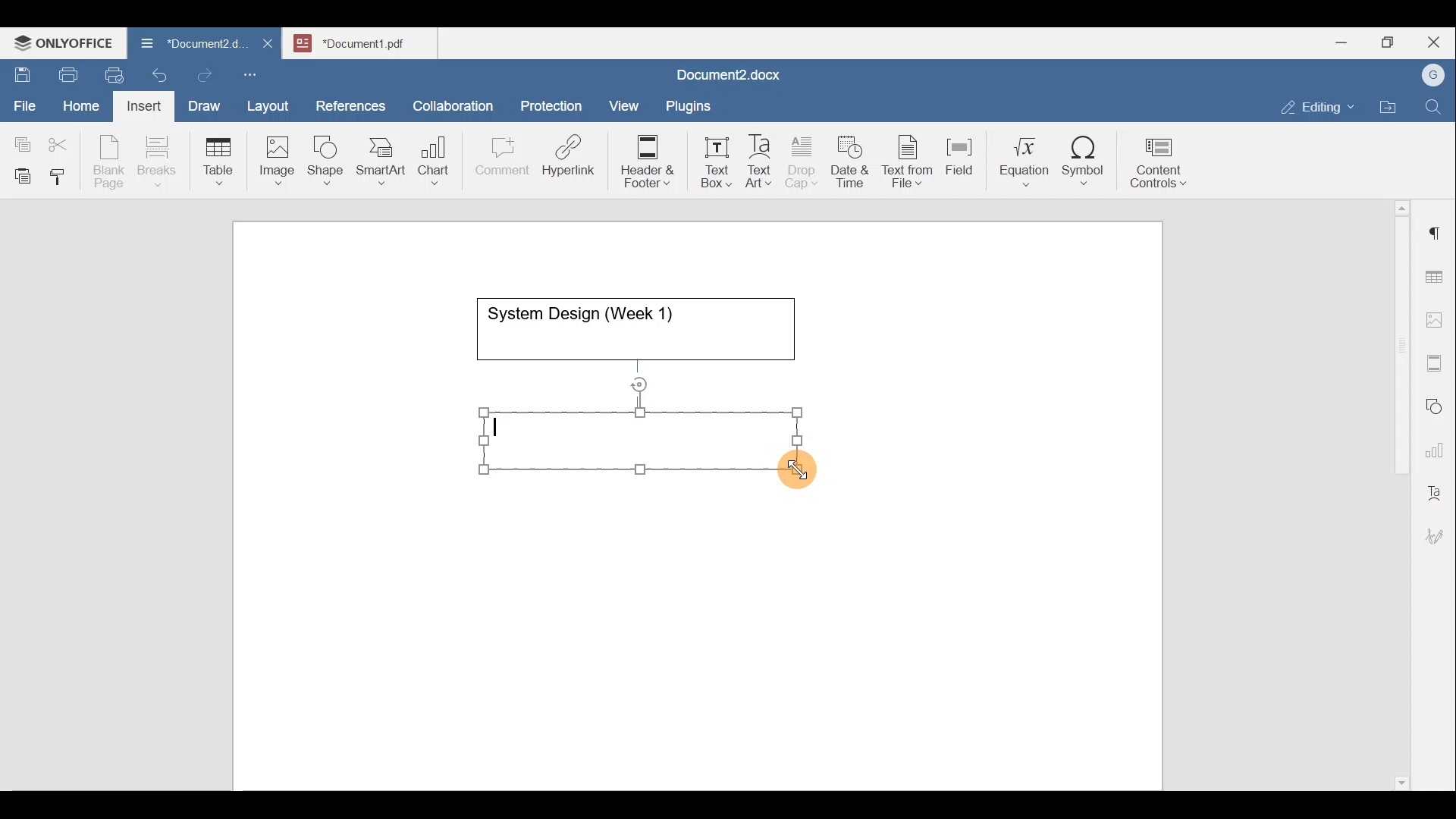 This screenshot has width=1456, height=819. What do you see at coordinates (910, 160) in the screenshot?
I see `Text from file` at bounding box center [910, 160].